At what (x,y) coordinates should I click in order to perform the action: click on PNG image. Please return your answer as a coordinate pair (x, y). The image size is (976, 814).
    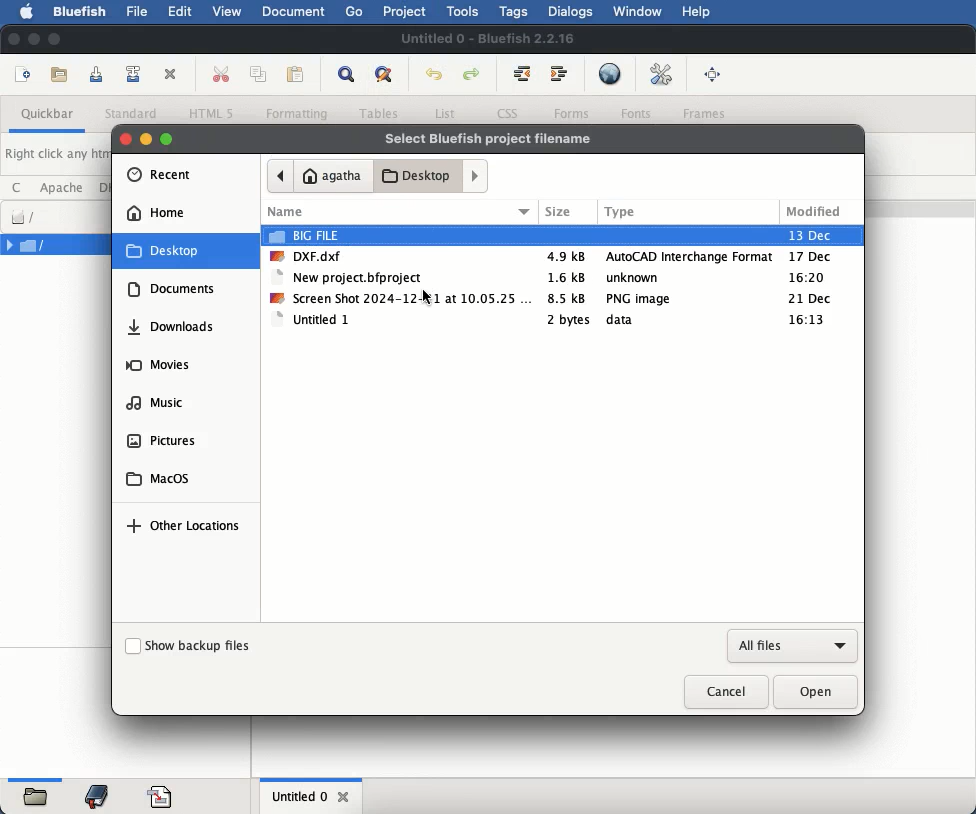
    Looking at the image, I should click on (637, 298).